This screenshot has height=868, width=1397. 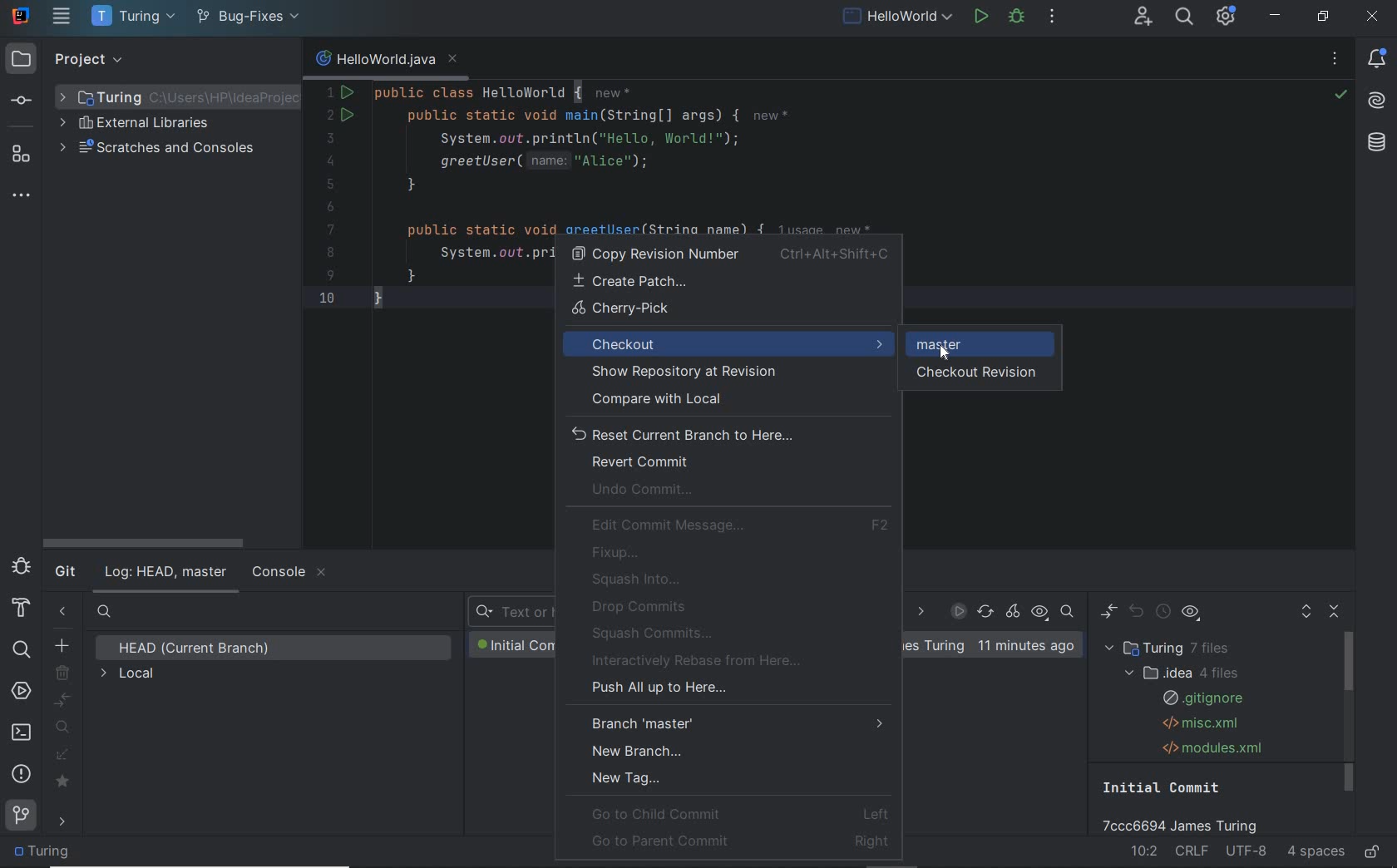 I want to click on console, so click(x=288, y=573).